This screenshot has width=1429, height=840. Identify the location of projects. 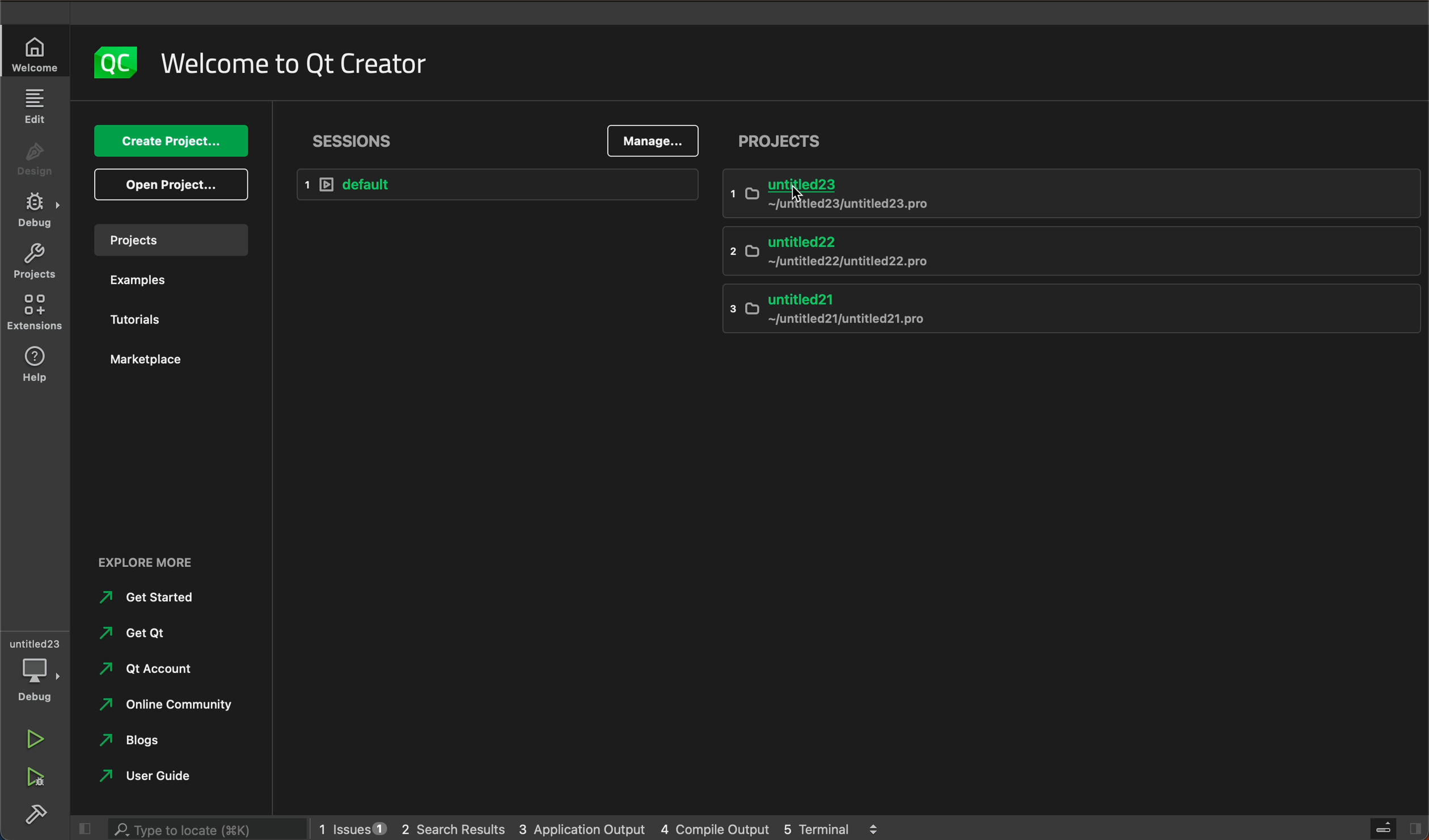
(175, 241).